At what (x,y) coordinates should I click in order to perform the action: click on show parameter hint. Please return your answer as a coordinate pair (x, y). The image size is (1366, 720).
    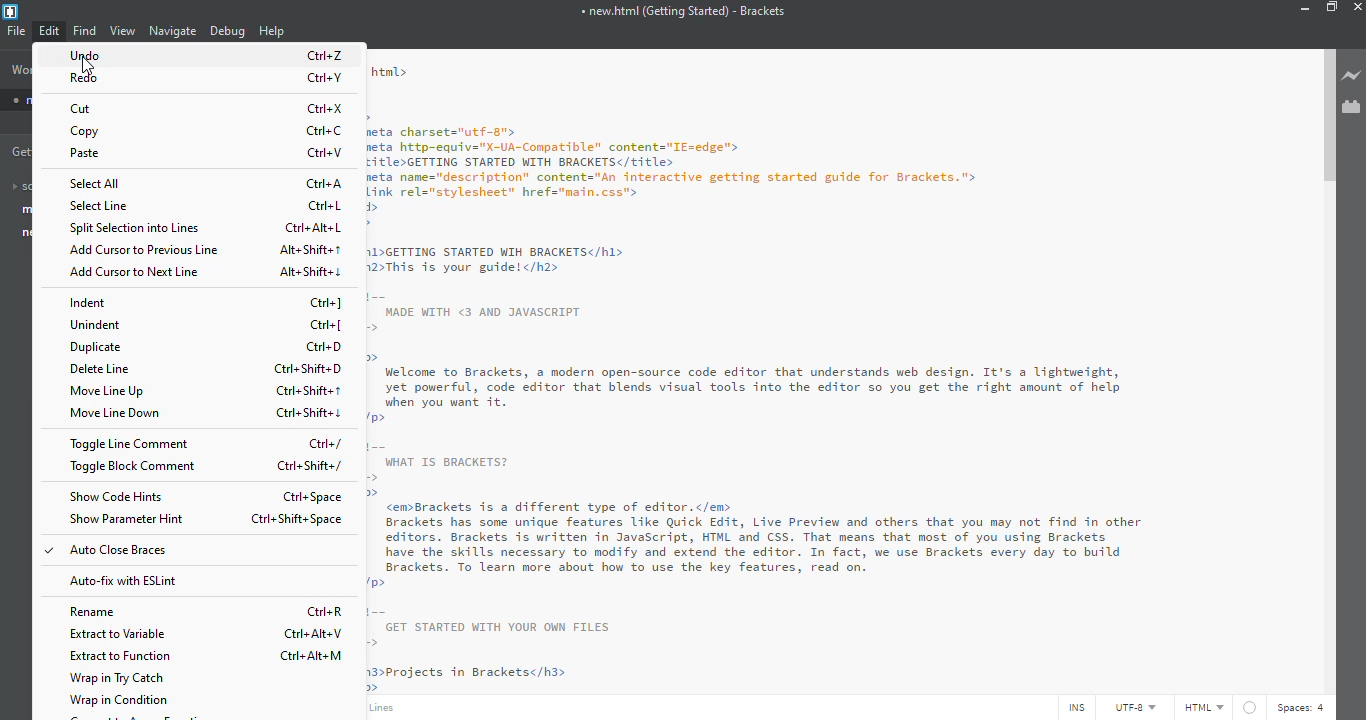
    Looking at the image, I should click on (129, 519).